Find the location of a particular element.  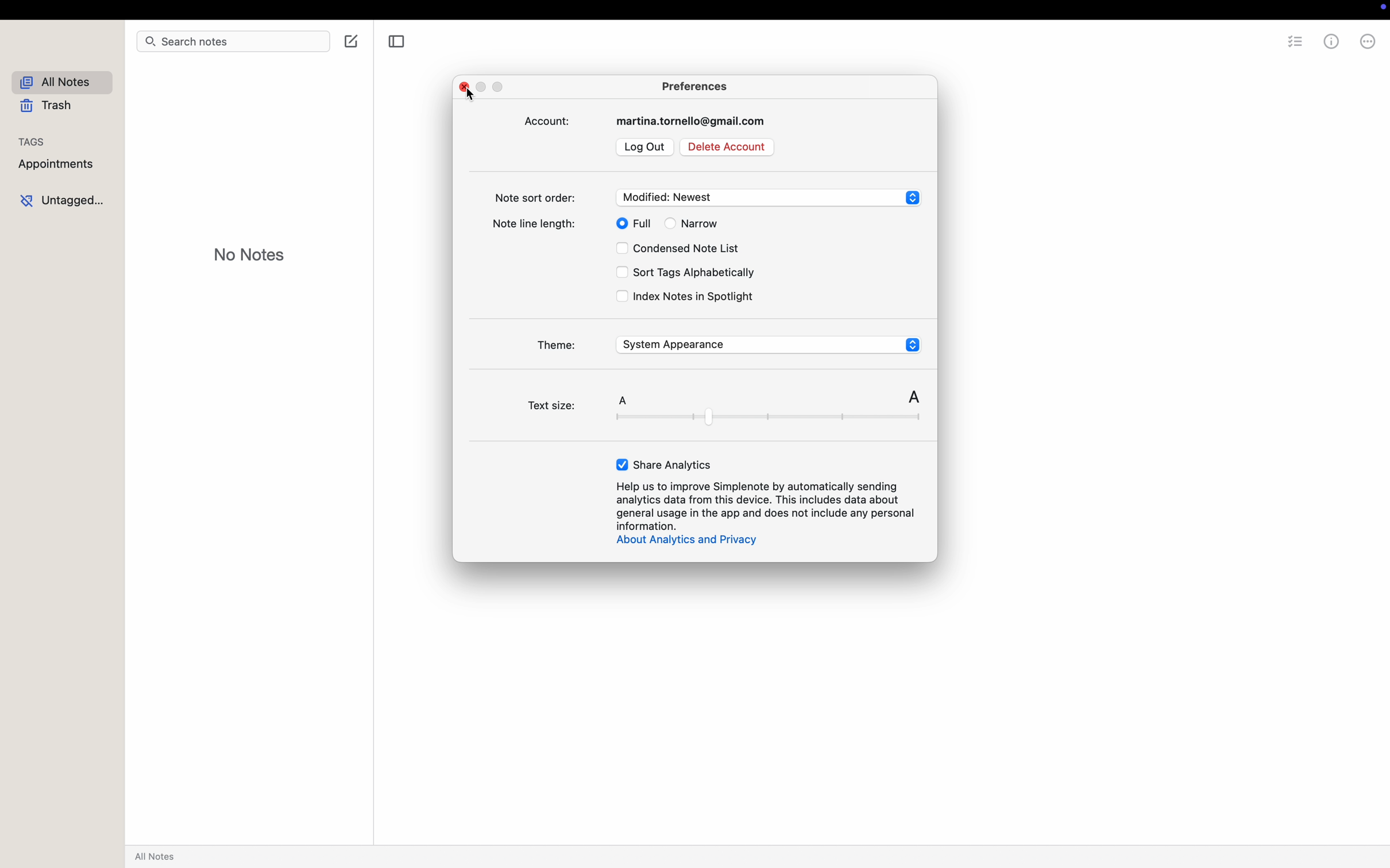

record control is located at coordinates (1381, 9).